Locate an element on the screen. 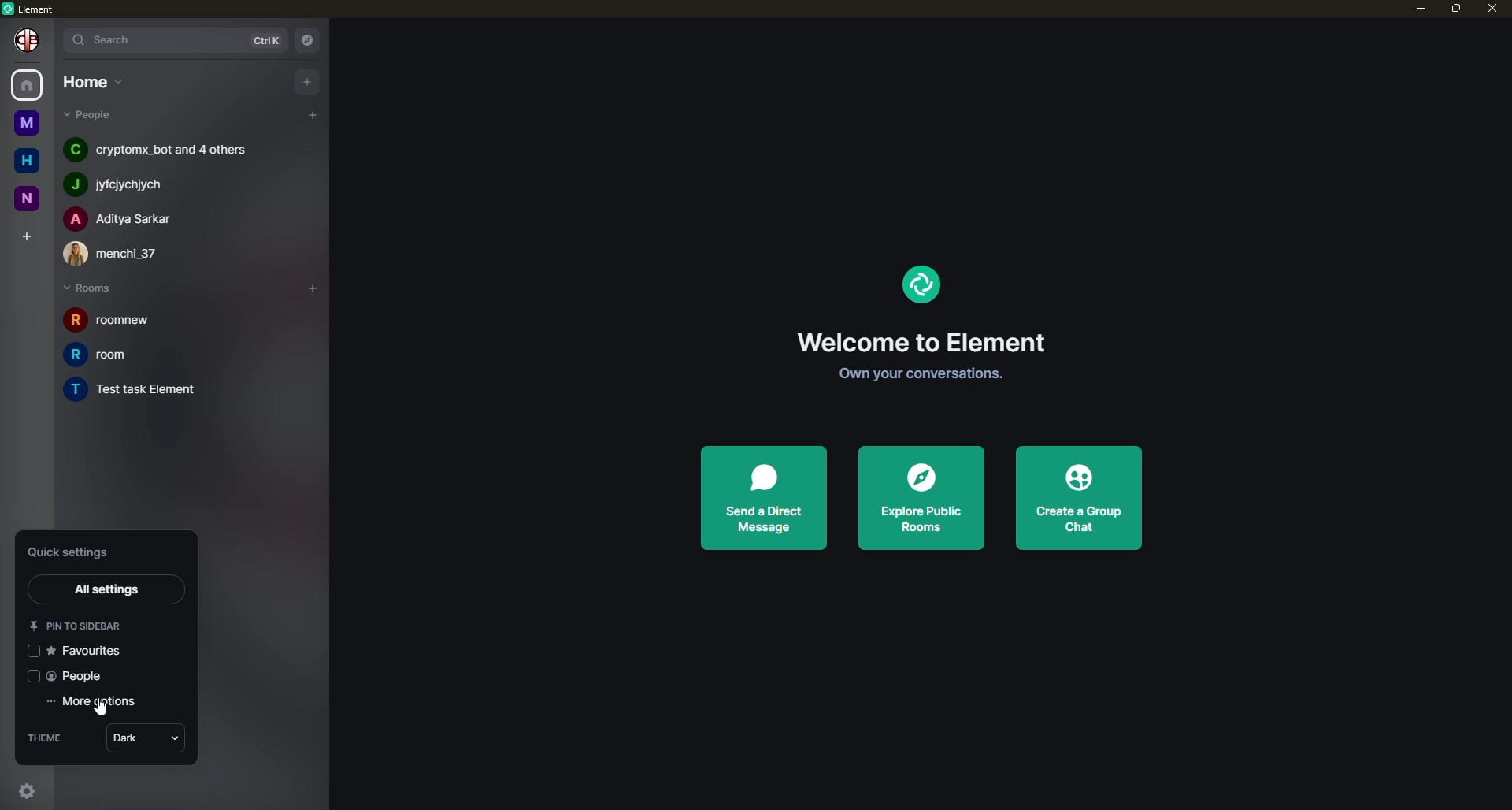 The width and height of the screenshot is (1512, 810). favorites is located at coordinates (87, 650).